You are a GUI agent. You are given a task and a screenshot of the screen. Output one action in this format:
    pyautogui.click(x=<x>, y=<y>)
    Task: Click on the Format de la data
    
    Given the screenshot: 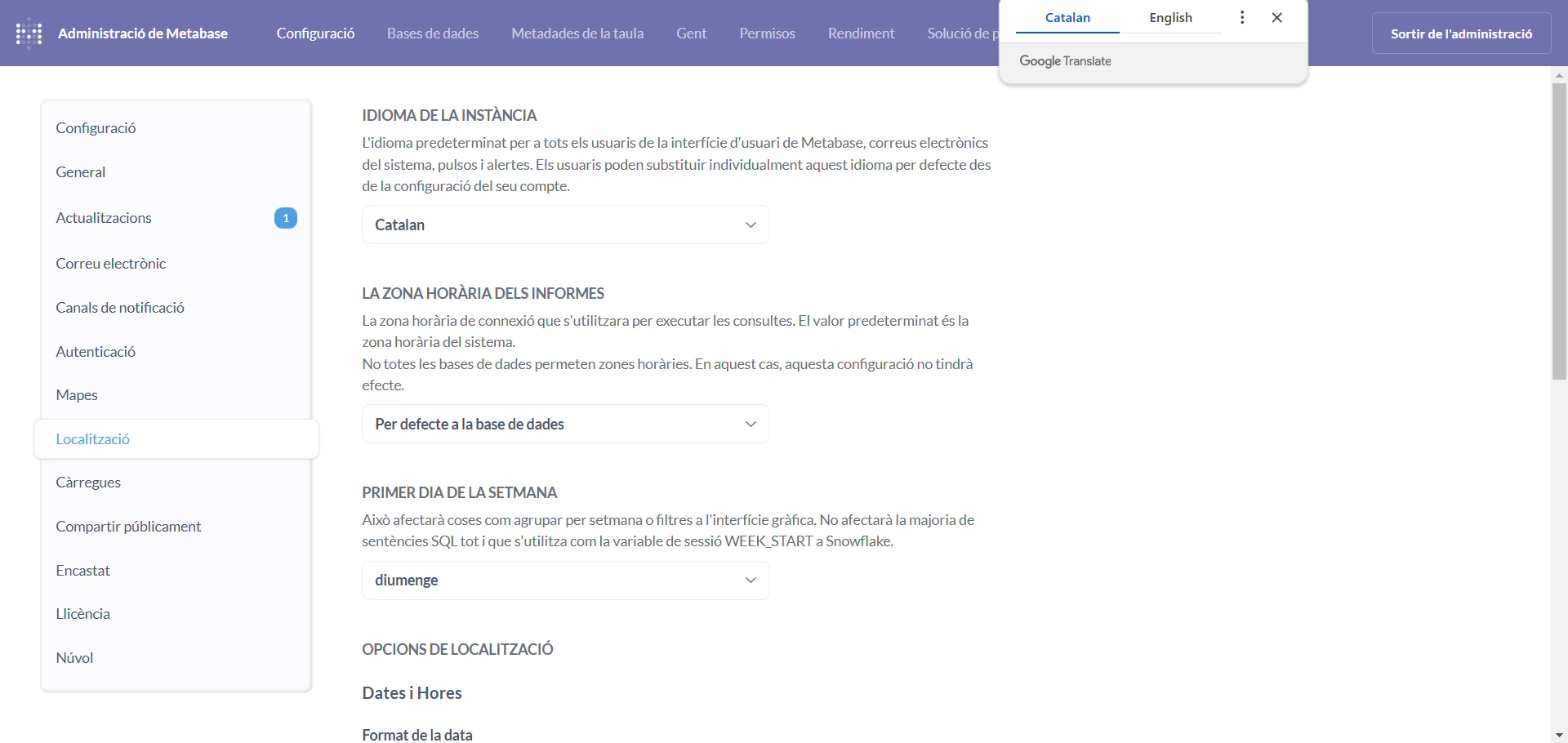 What is the action you would take?
    pyautogui.click(x=419, y=733)
    